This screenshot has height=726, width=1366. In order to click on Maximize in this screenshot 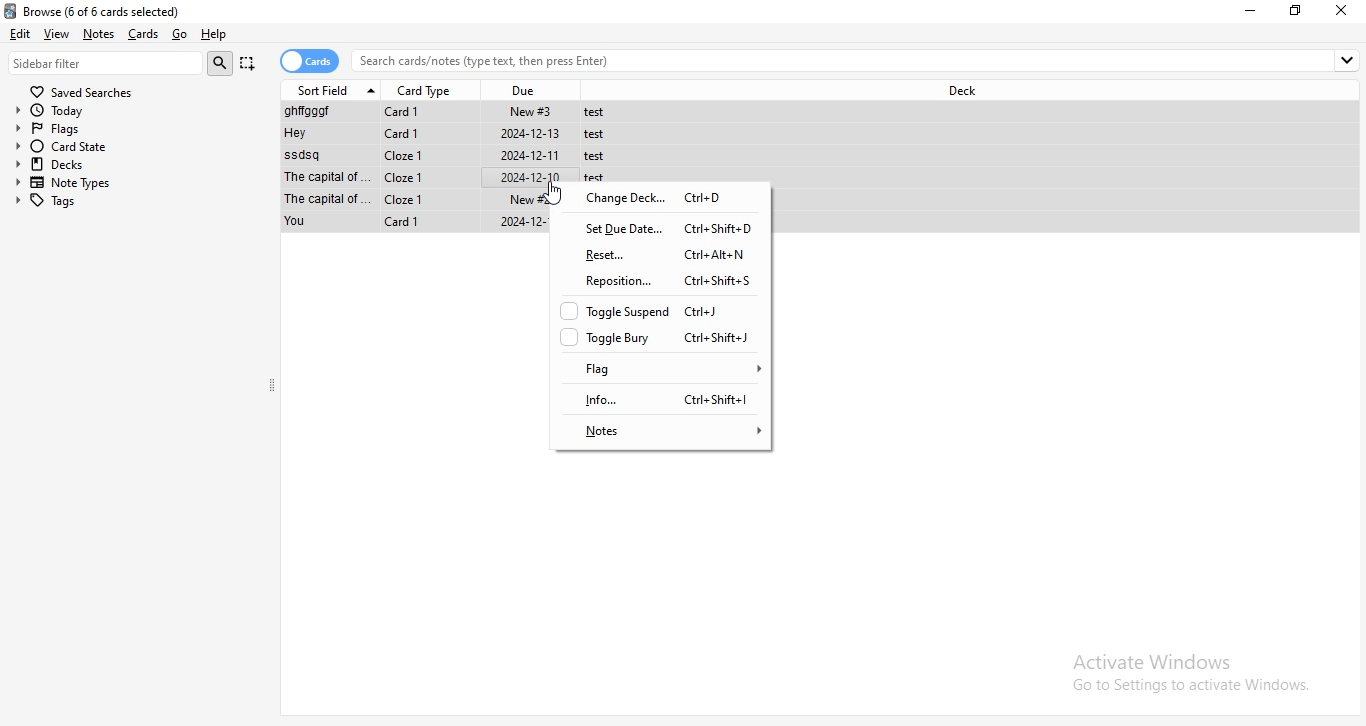, I will do `click(1299, 11)`.